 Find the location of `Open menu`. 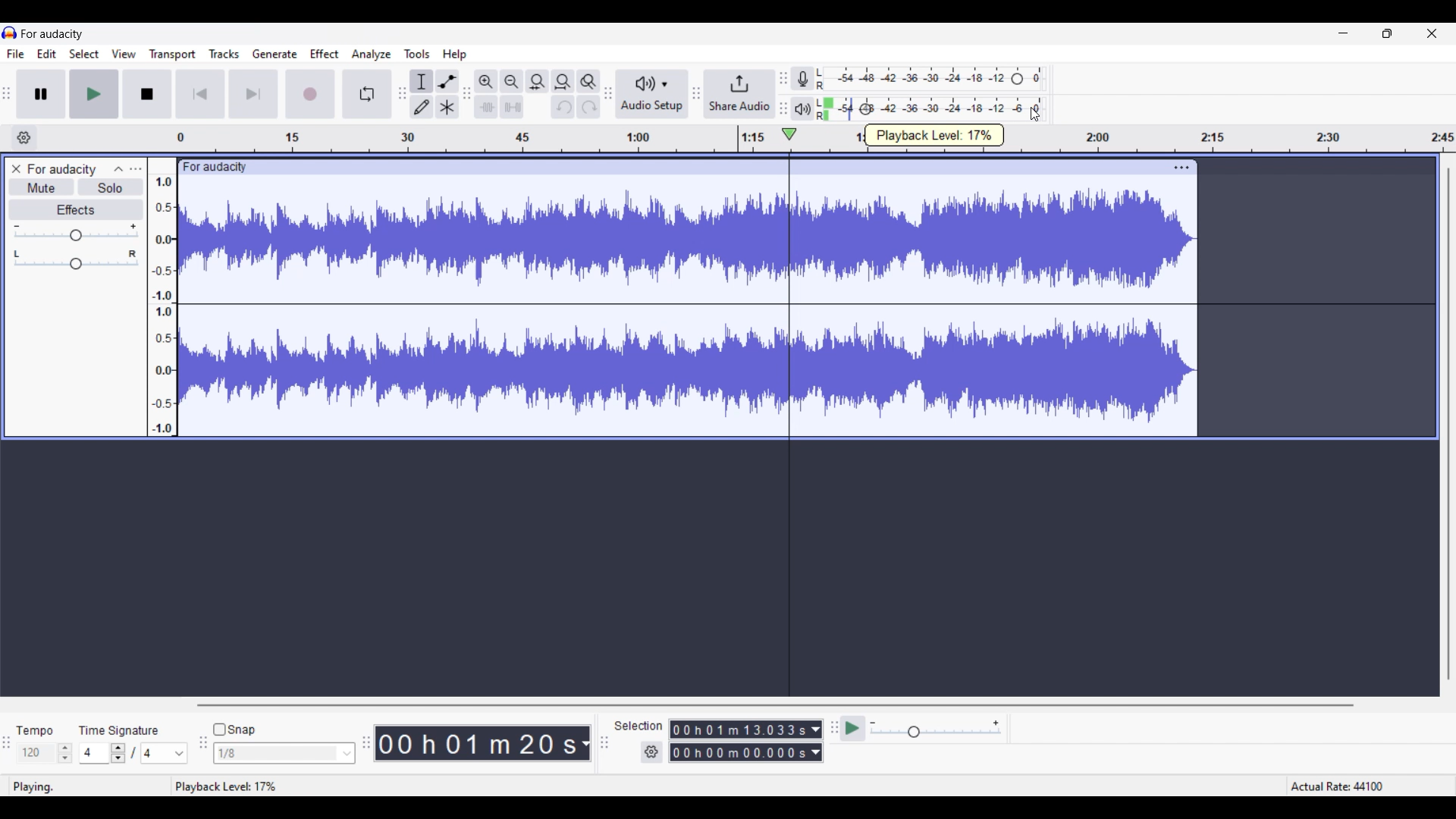

Open menu is located at coordinates (136, 169).